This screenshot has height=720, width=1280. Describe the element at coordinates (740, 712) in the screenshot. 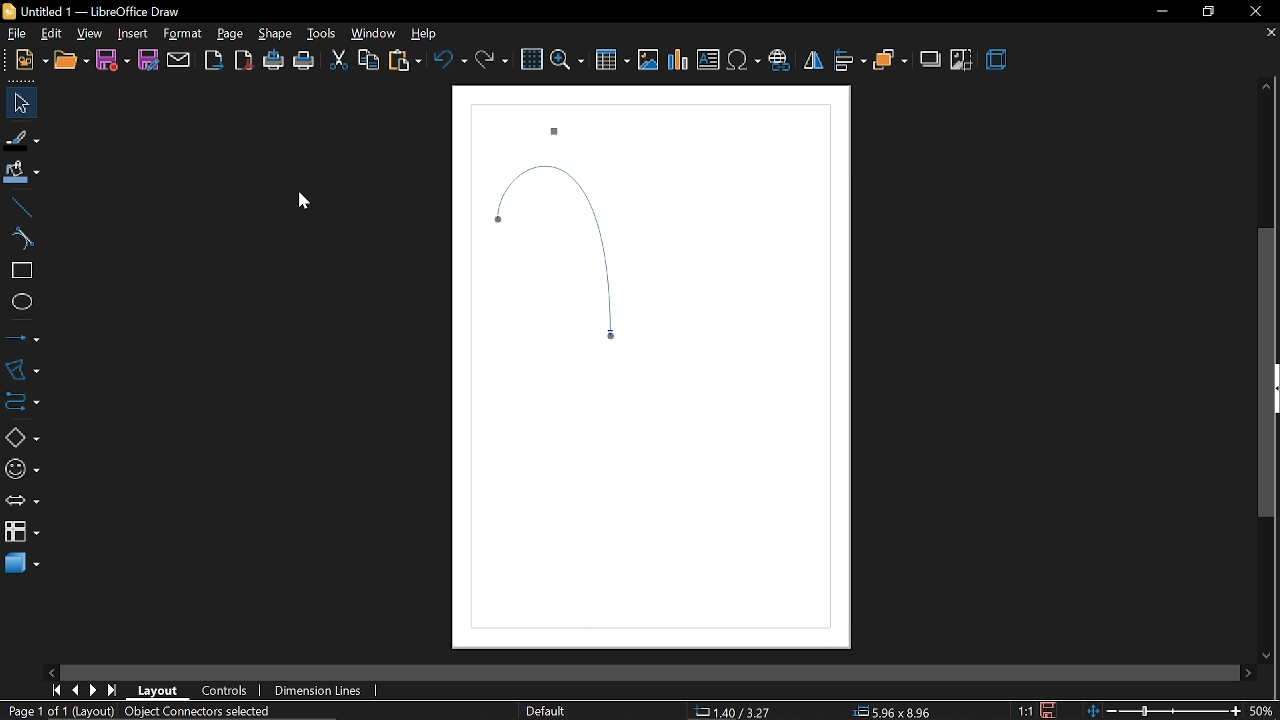

I see `1.40/6.06` at that location.